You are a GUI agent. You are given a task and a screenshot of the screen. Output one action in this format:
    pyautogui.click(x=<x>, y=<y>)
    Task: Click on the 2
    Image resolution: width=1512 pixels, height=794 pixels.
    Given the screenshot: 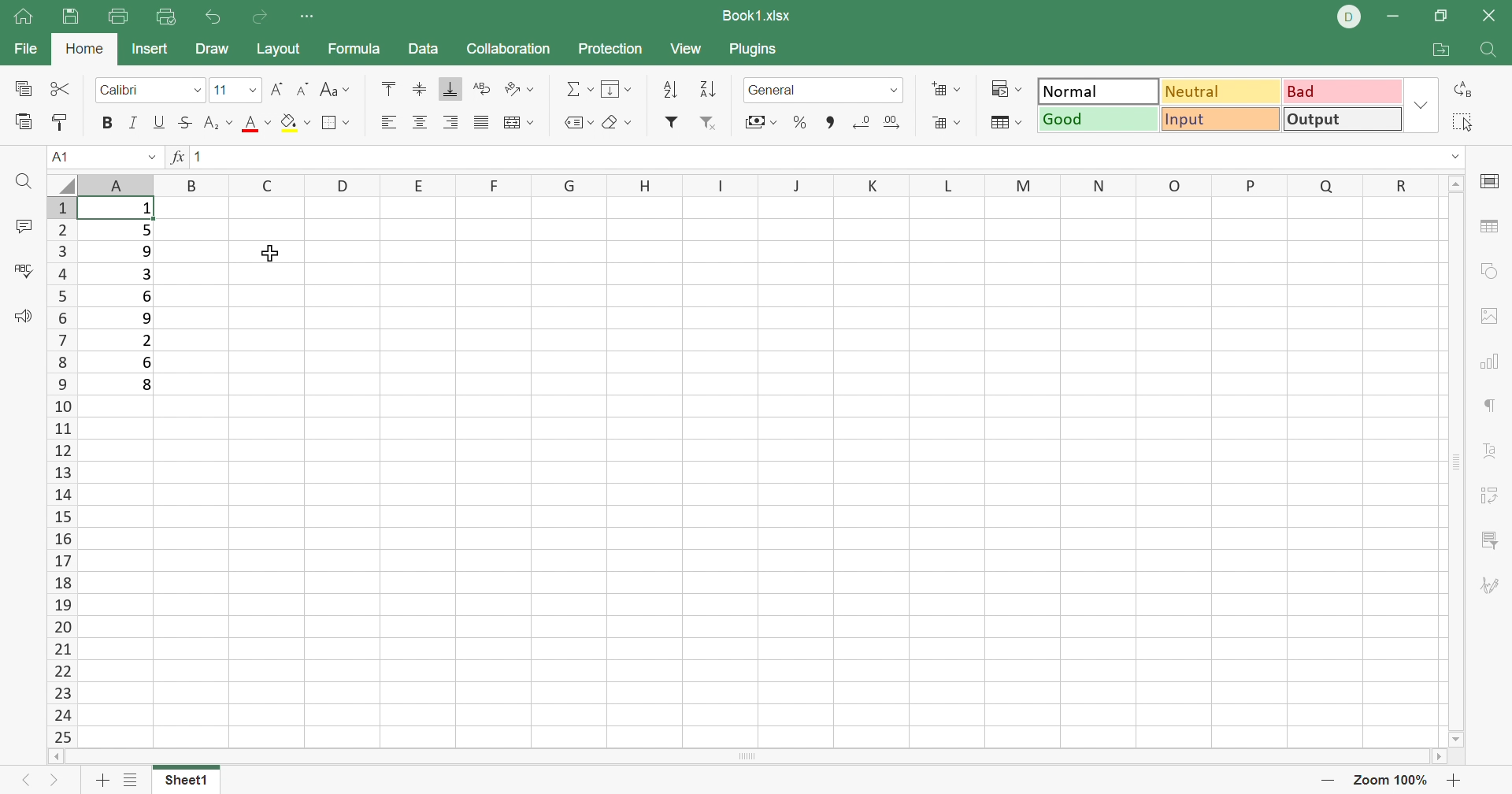 What is the action you would take?
    pyautogui.click(x=146, y=340)
    